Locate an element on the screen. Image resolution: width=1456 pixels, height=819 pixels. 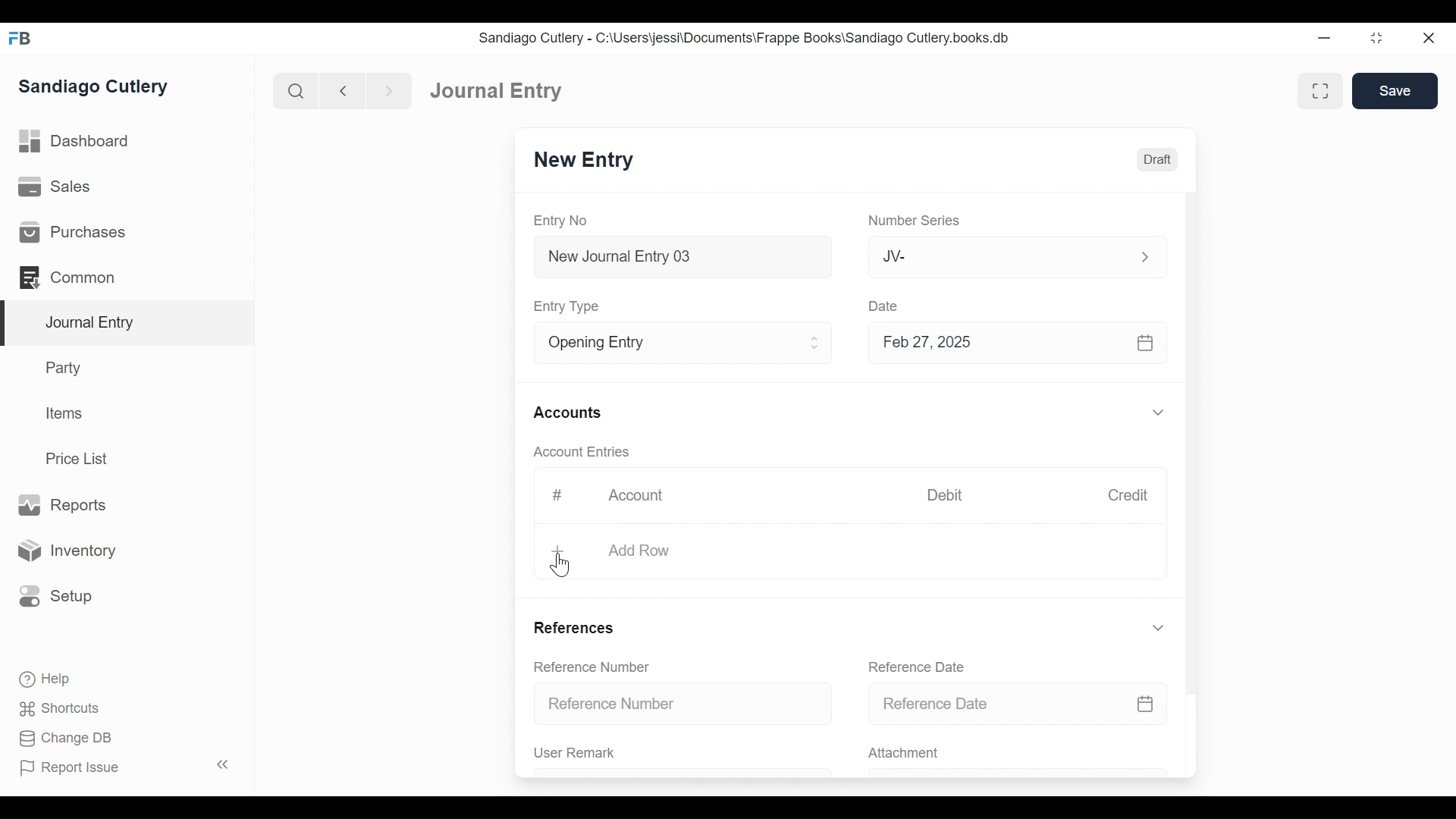
Help is located at coordinates (46, 679).